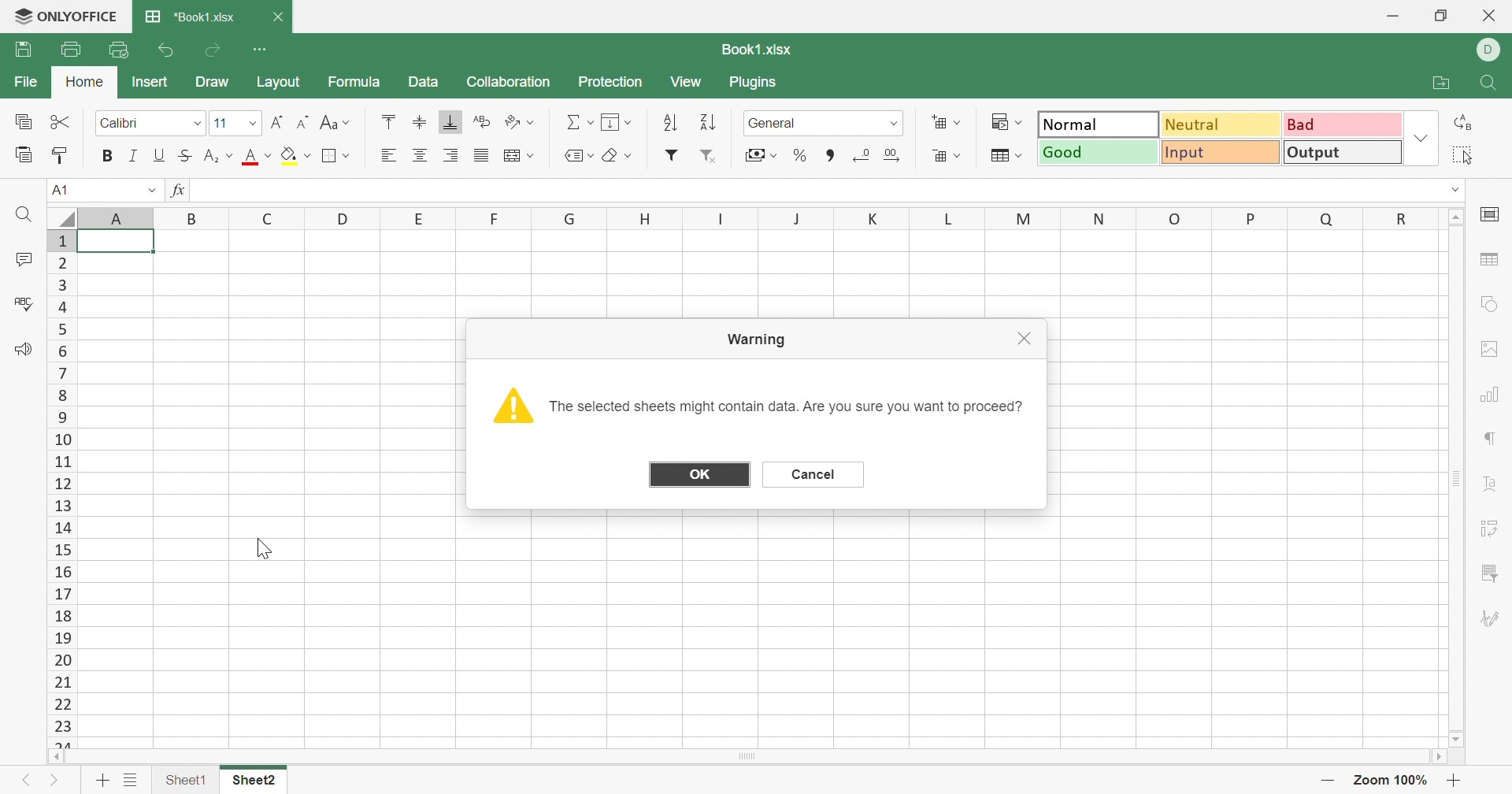  What do you see at coordinates (1489, 212) in the screenshot?
I see `Slide settings` at bounding box center [1489, 212].